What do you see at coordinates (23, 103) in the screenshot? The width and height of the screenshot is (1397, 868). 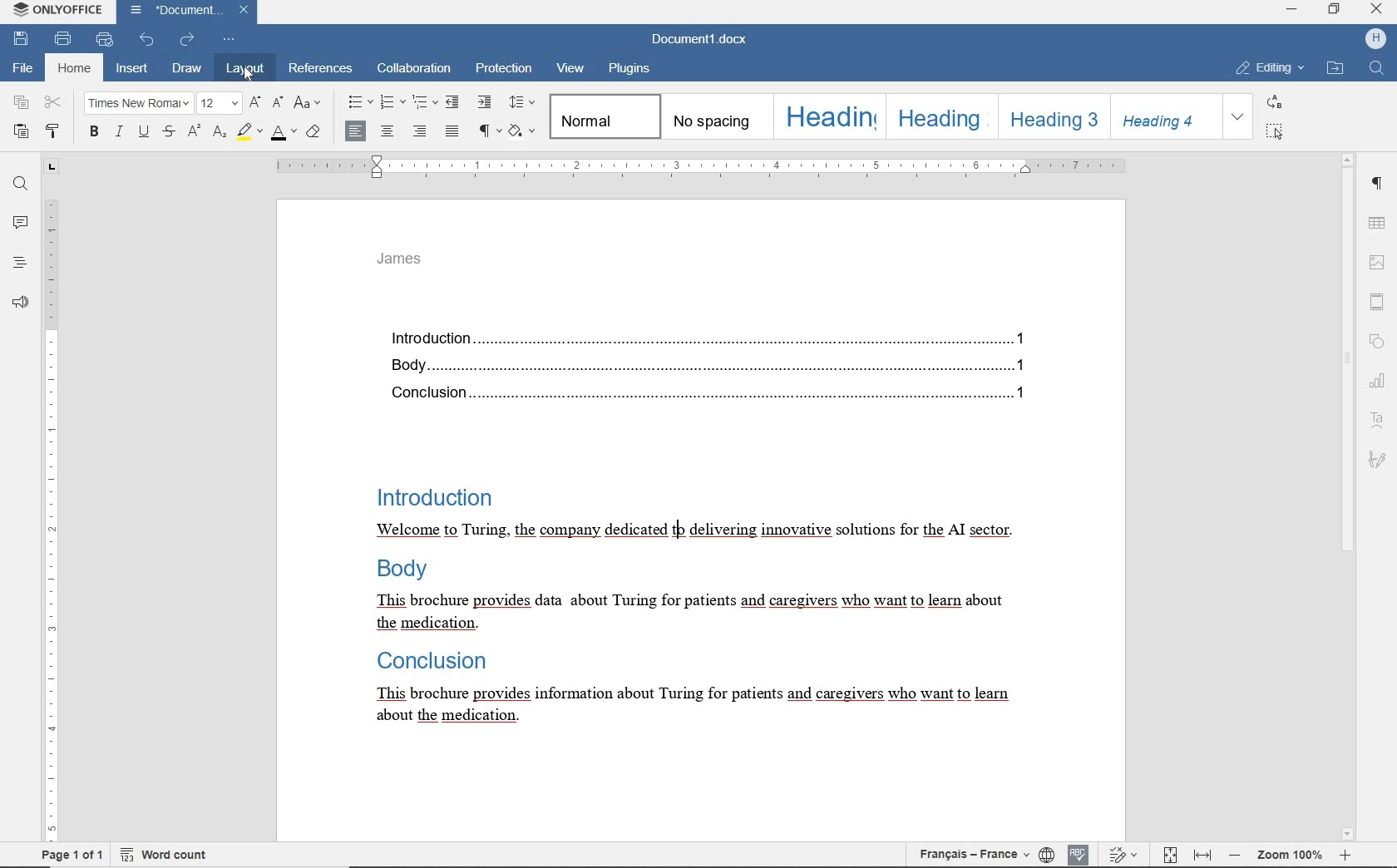 I see `copy` at bounding box center [23, 103].